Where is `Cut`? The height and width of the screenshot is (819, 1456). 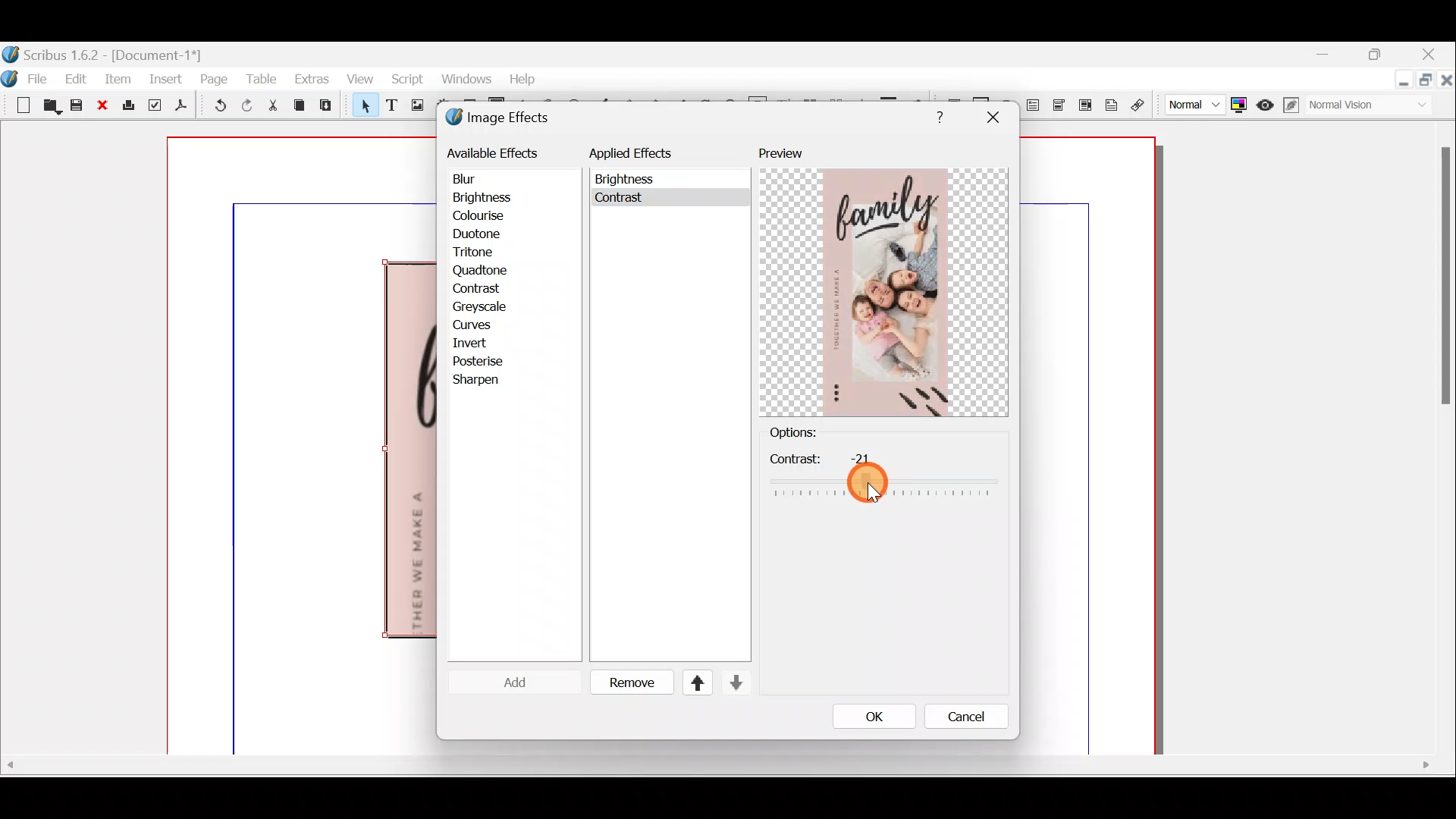 Cut is located at coordinates (272, 108).